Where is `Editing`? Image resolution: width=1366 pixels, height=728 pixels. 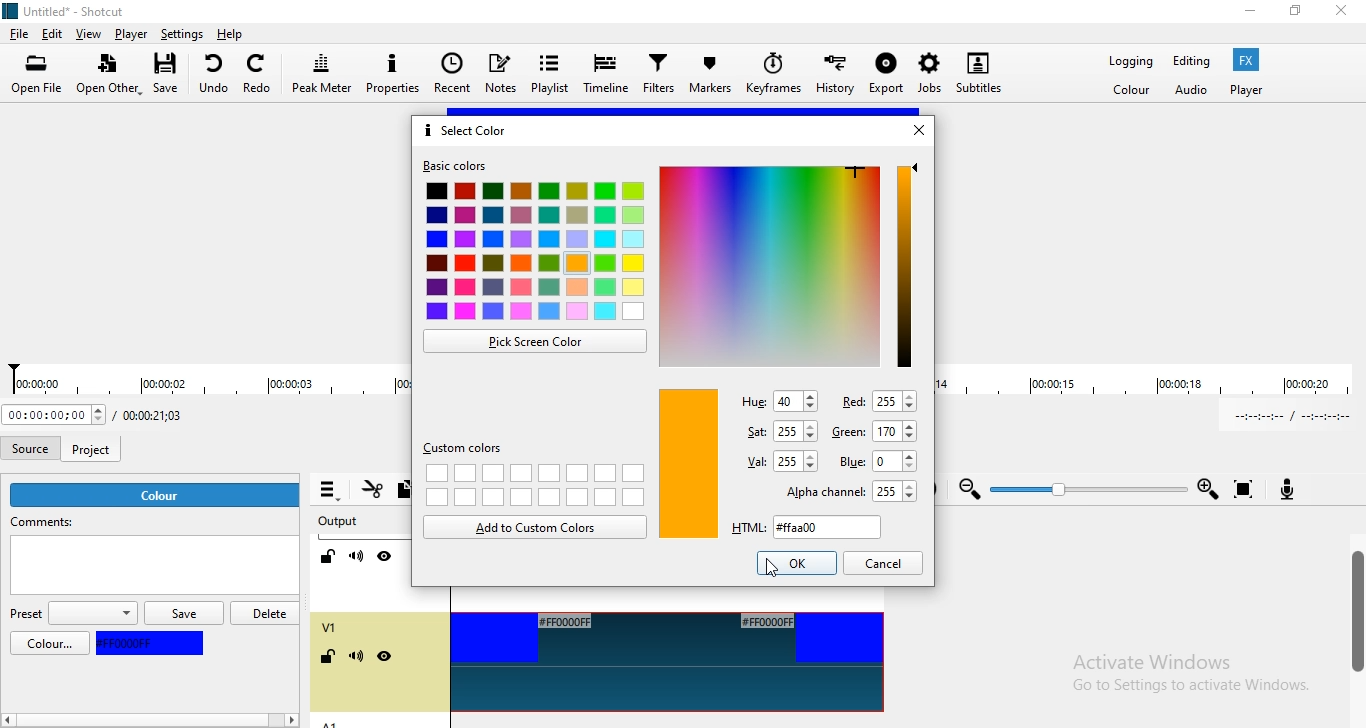
Editing is located at coordinates (1189, 60).